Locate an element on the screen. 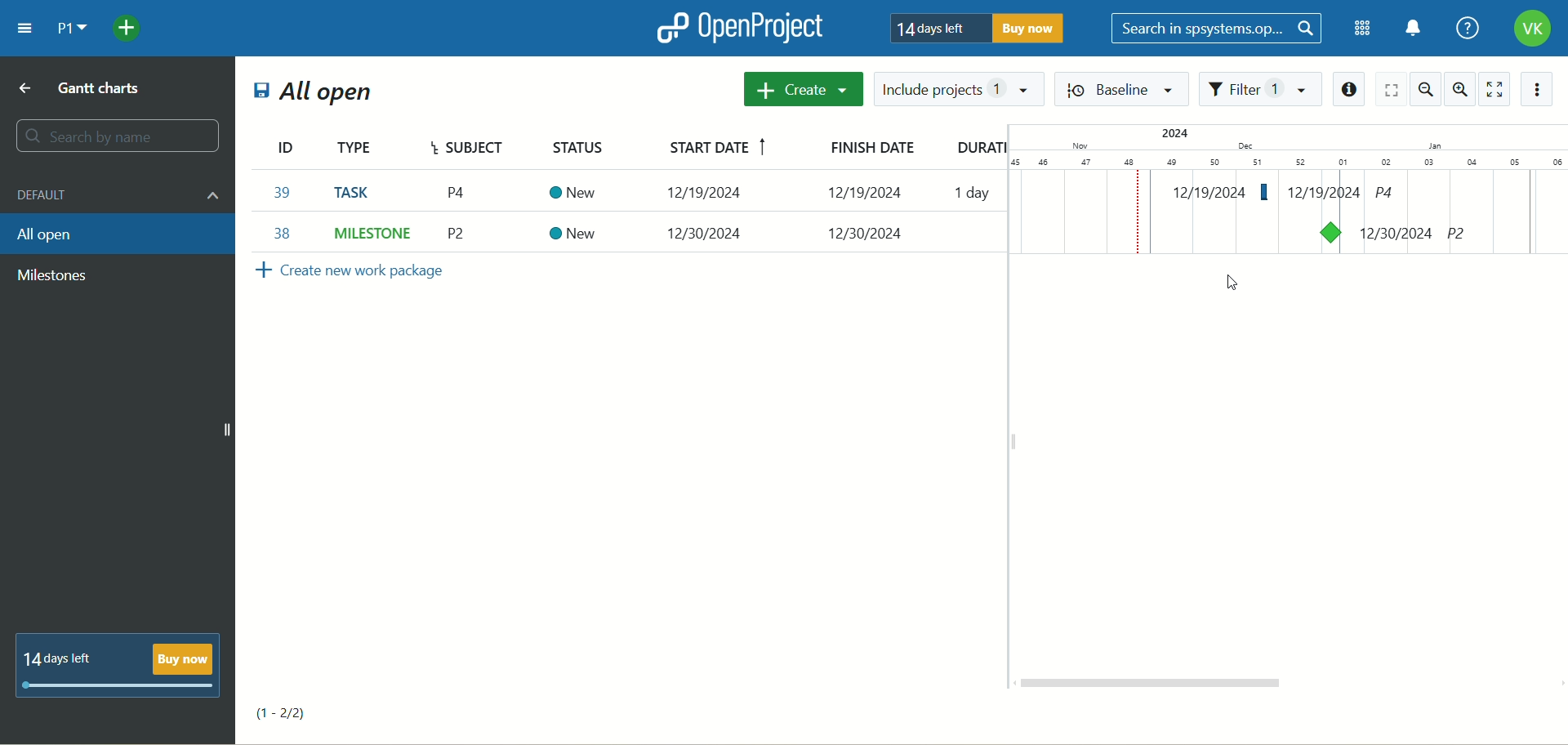 The height and width of the screenshot is (745, 1568). numbers is located at coordinates (1287, 163).